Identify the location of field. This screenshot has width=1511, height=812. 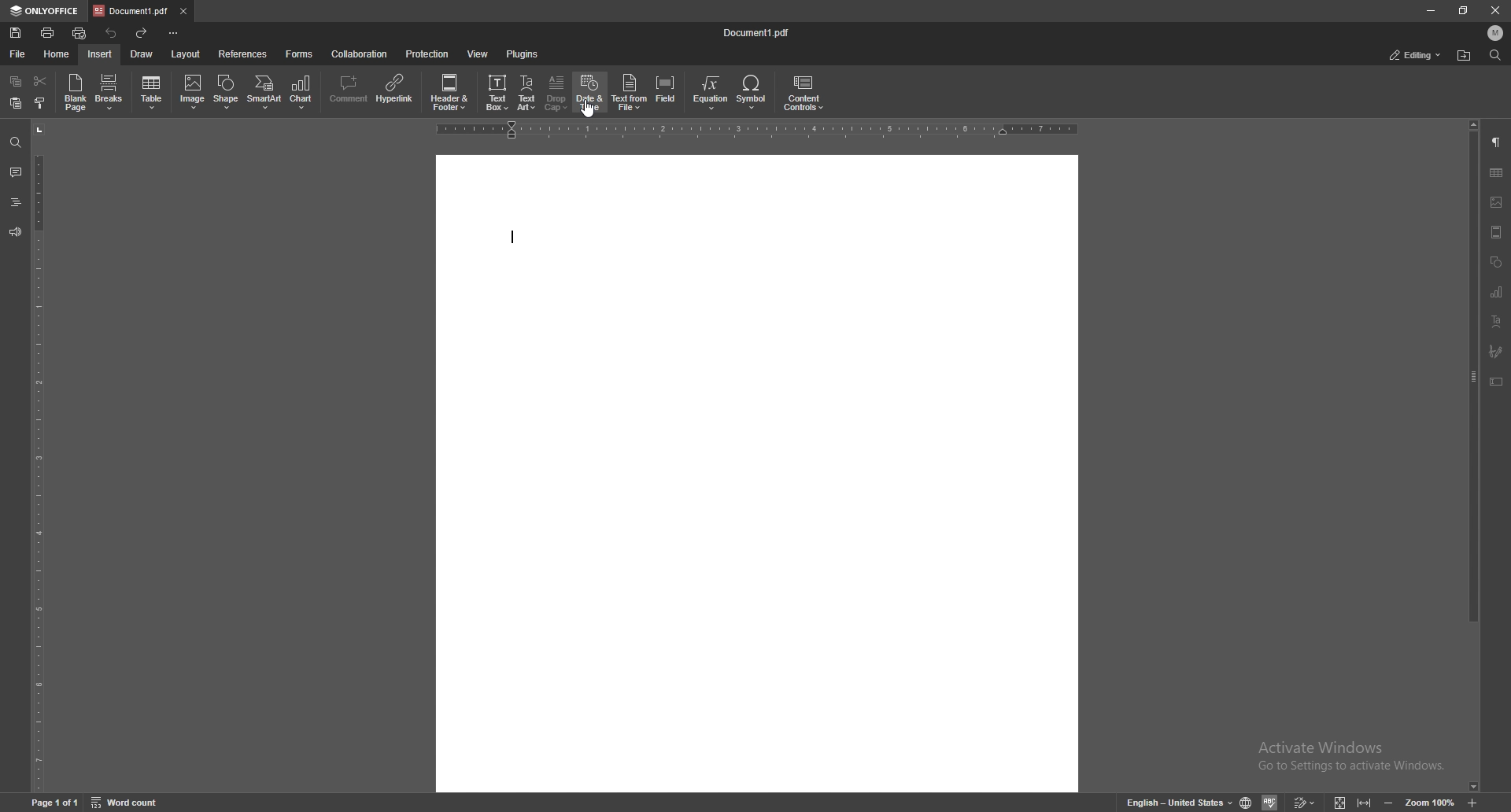
(665, 92).